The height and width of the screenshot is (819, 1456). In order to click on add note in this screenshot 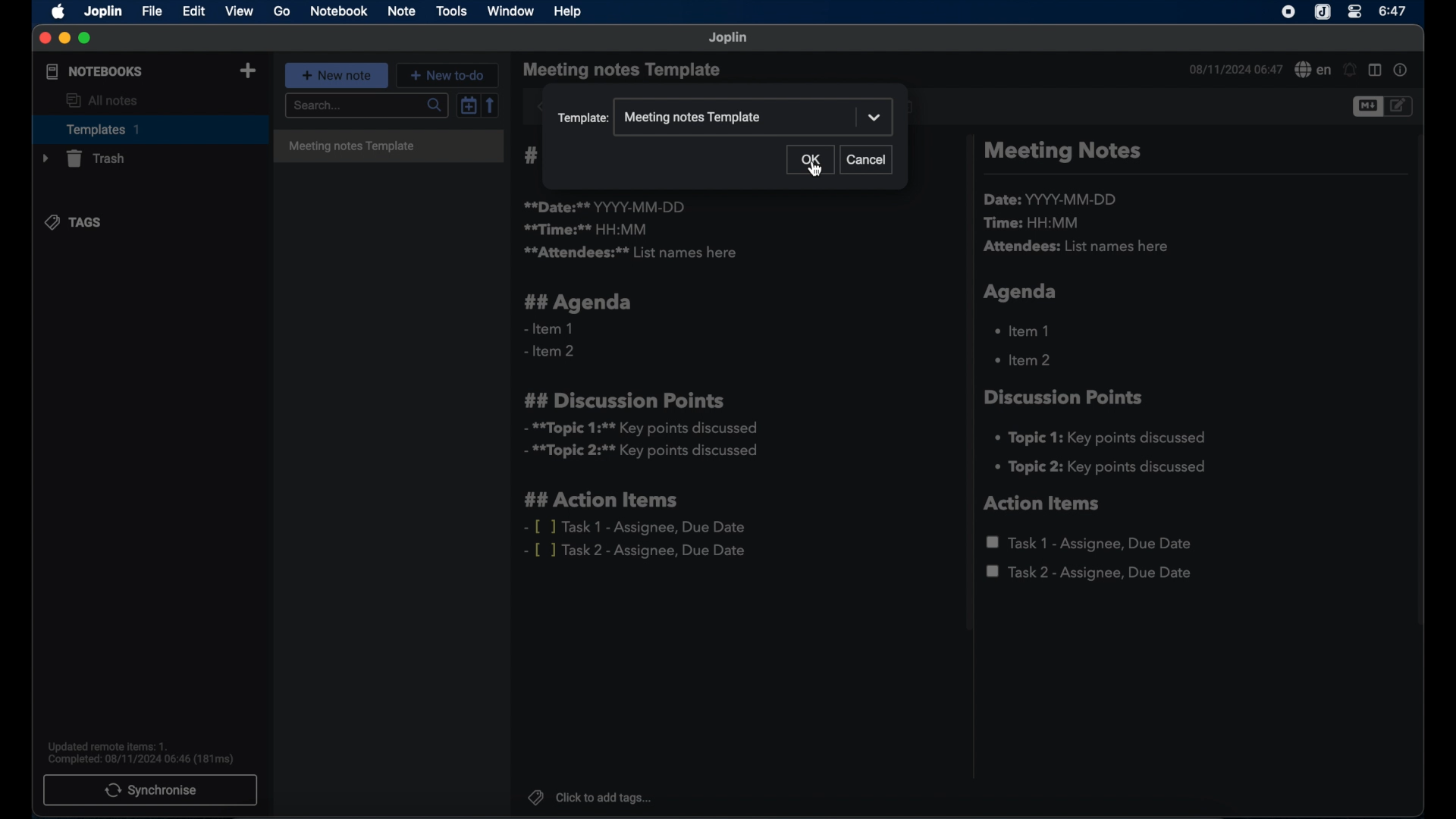, I will do `click(248, 71)`.